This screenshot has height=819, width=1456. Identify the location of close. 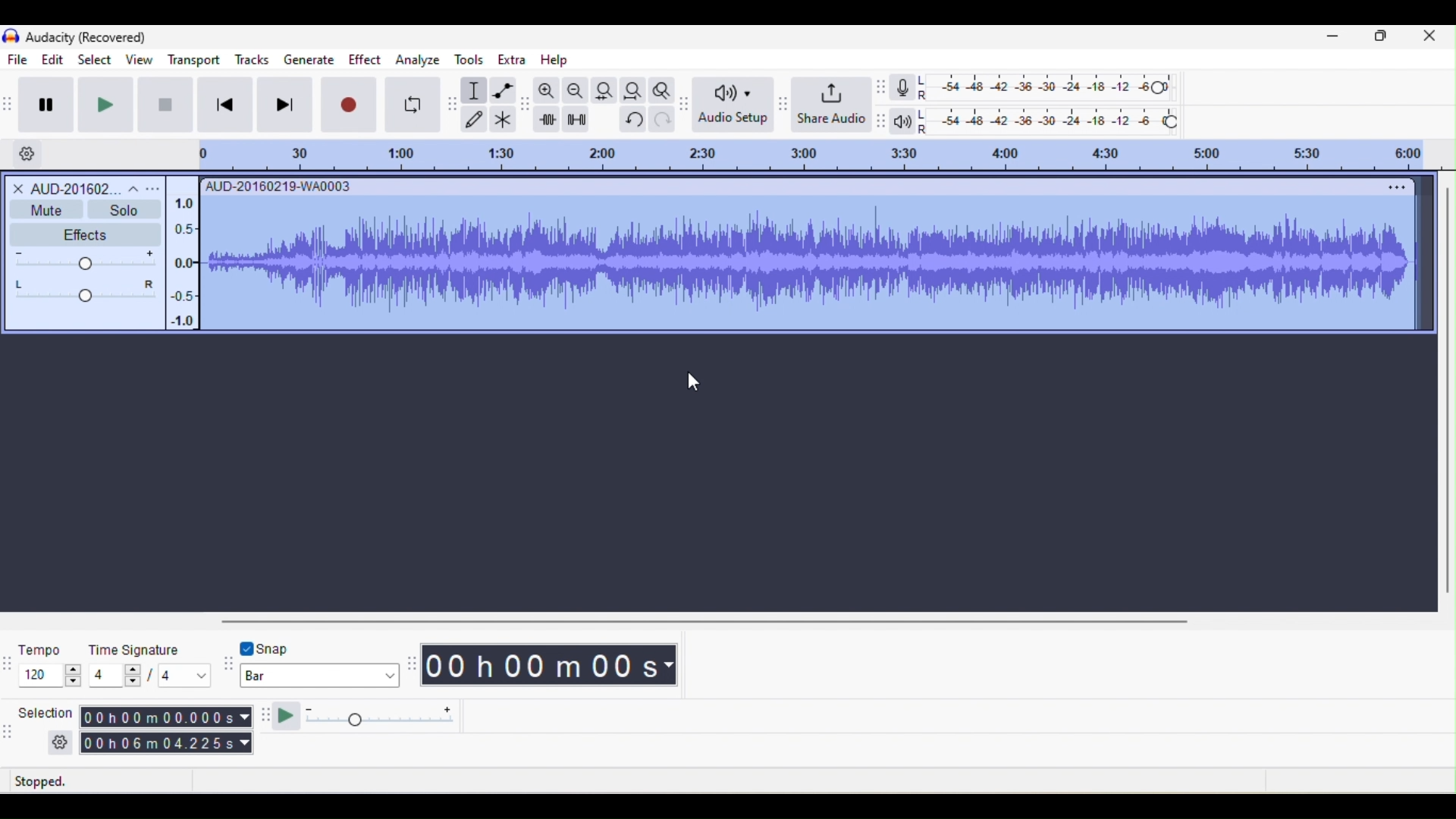
(1429, 40).